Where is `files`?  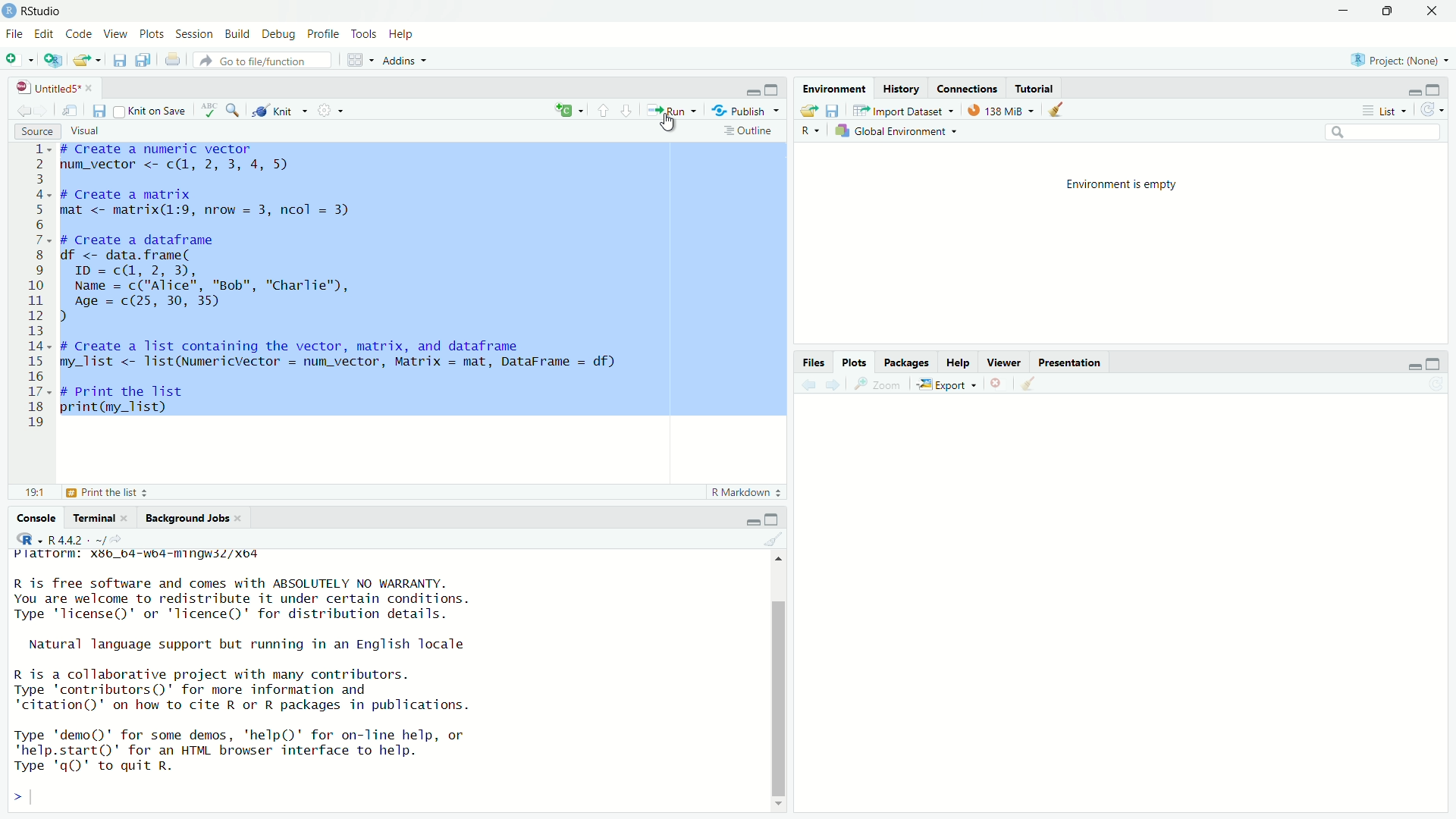
files is located at coordinates (836, 111).